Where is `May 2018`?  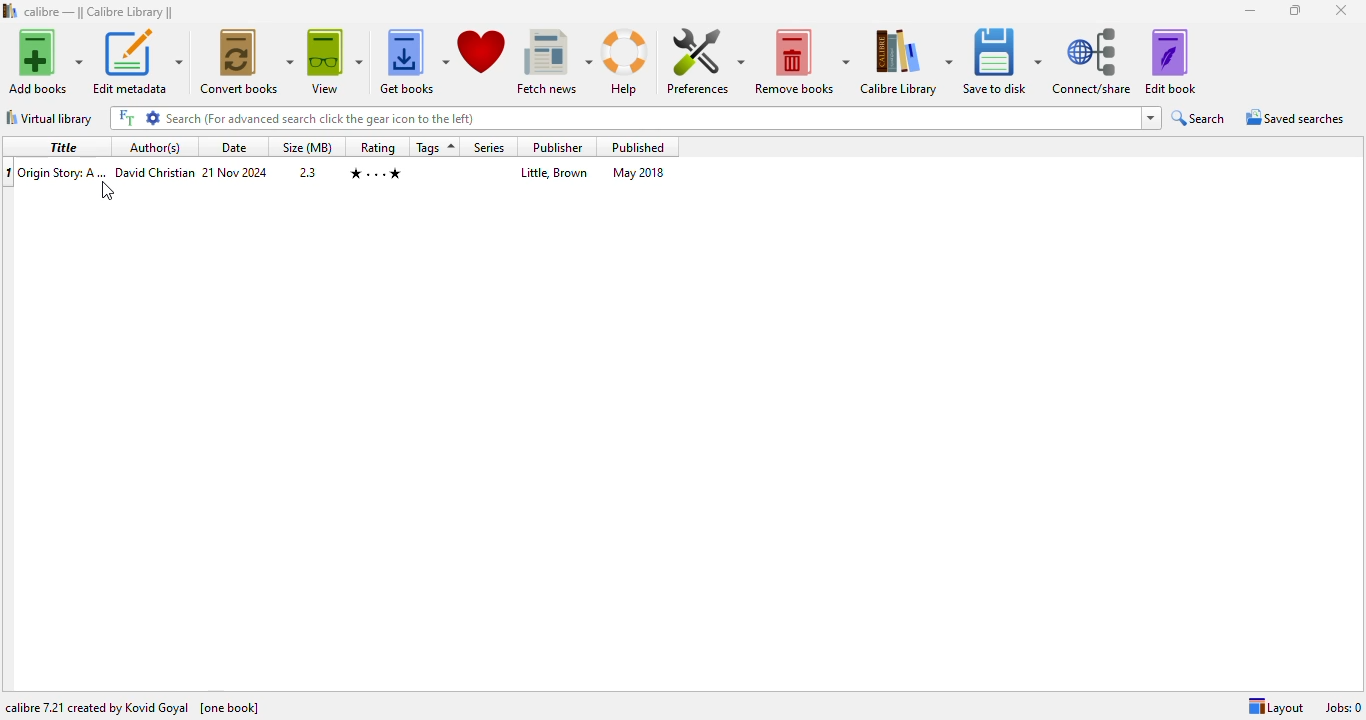 May 2018 is located at coordinates (639, 172).